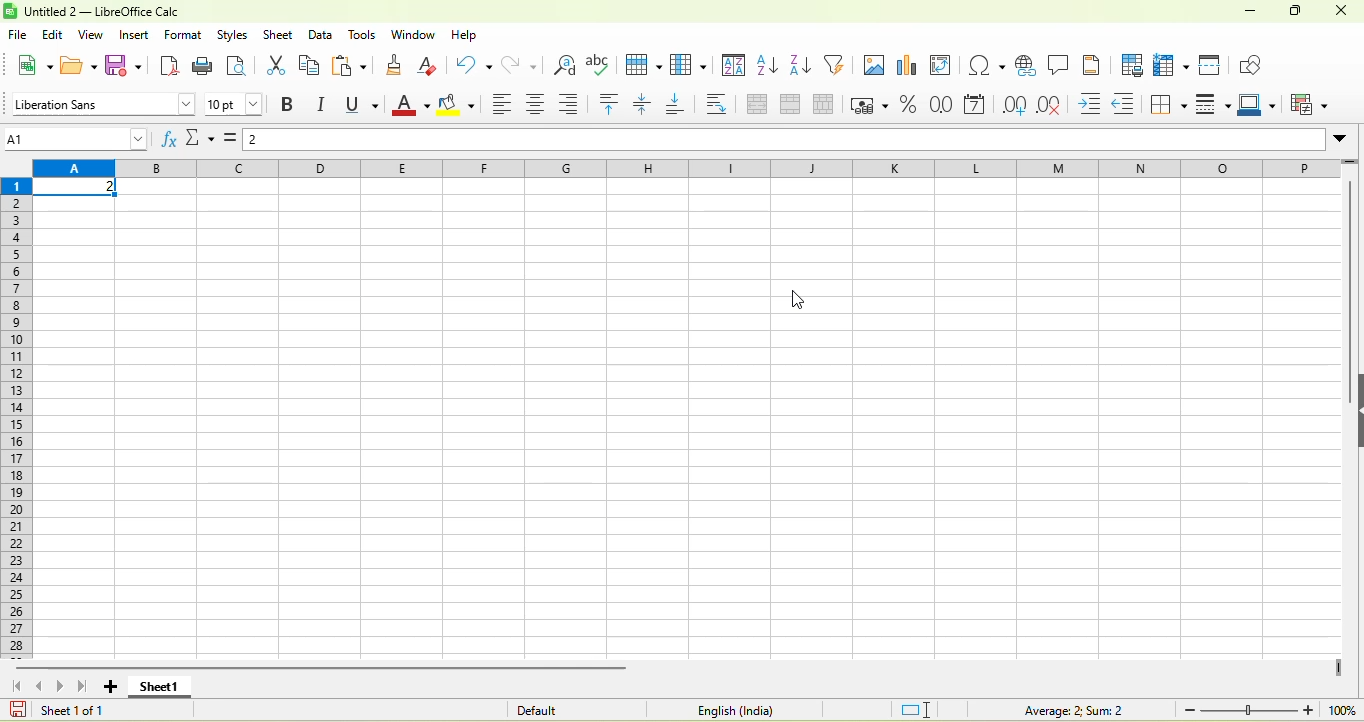 The image size is (1364, 722). What do you see at coordinates (321, 35) in the screenshot?
I see `data` at bounding box center [321, 35].